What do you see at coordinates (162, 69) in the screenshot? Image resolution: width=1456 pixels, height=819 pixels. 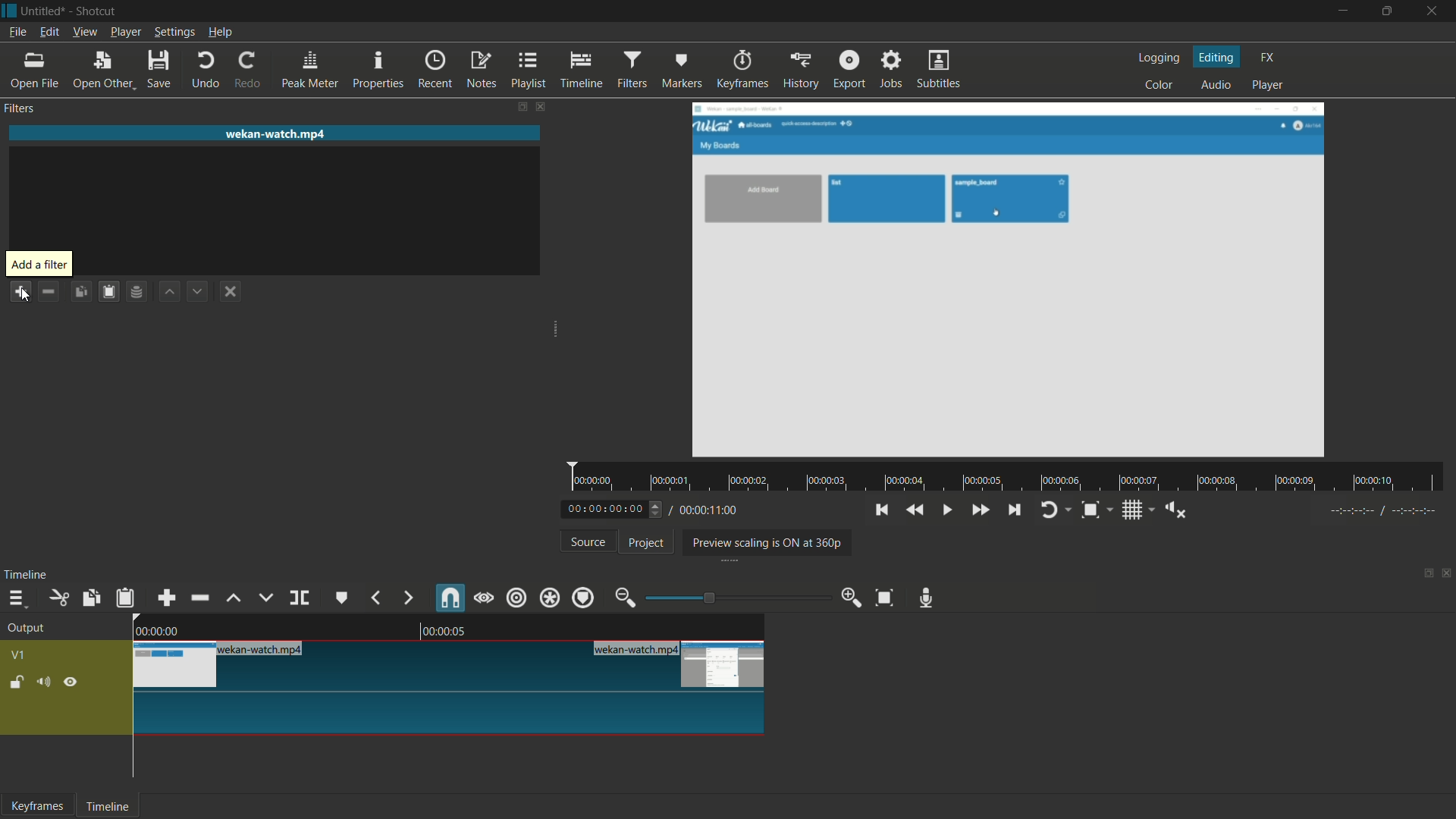 I see `save` at bounding box center [162, 69].